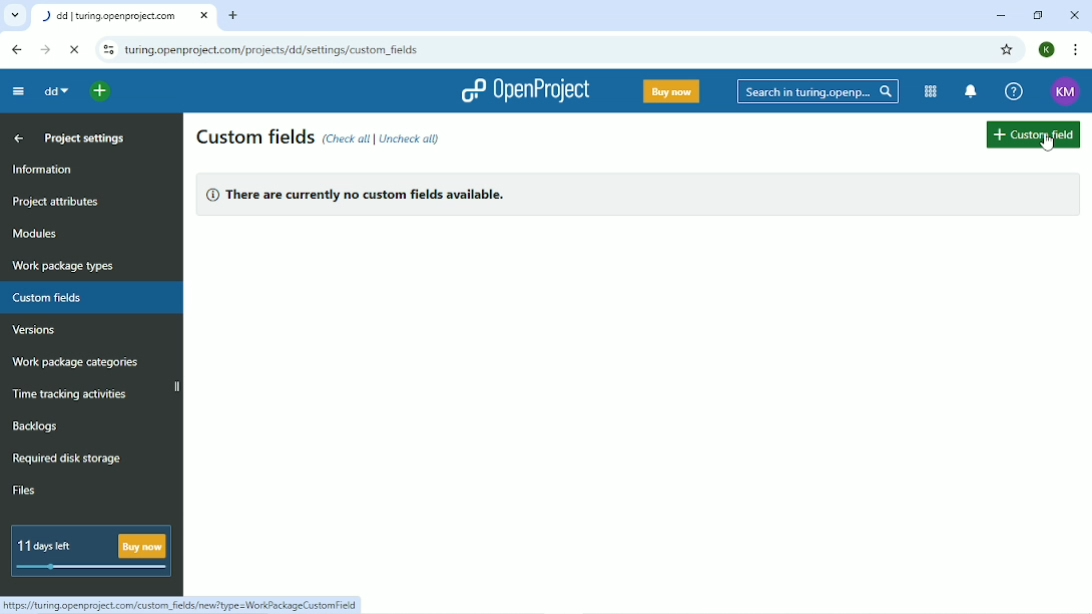 The image size is (1092, 614). What do you see at coordinates (54, 203) in the screenshot?
I see `Project attributes` at bounding box center [54, 203].